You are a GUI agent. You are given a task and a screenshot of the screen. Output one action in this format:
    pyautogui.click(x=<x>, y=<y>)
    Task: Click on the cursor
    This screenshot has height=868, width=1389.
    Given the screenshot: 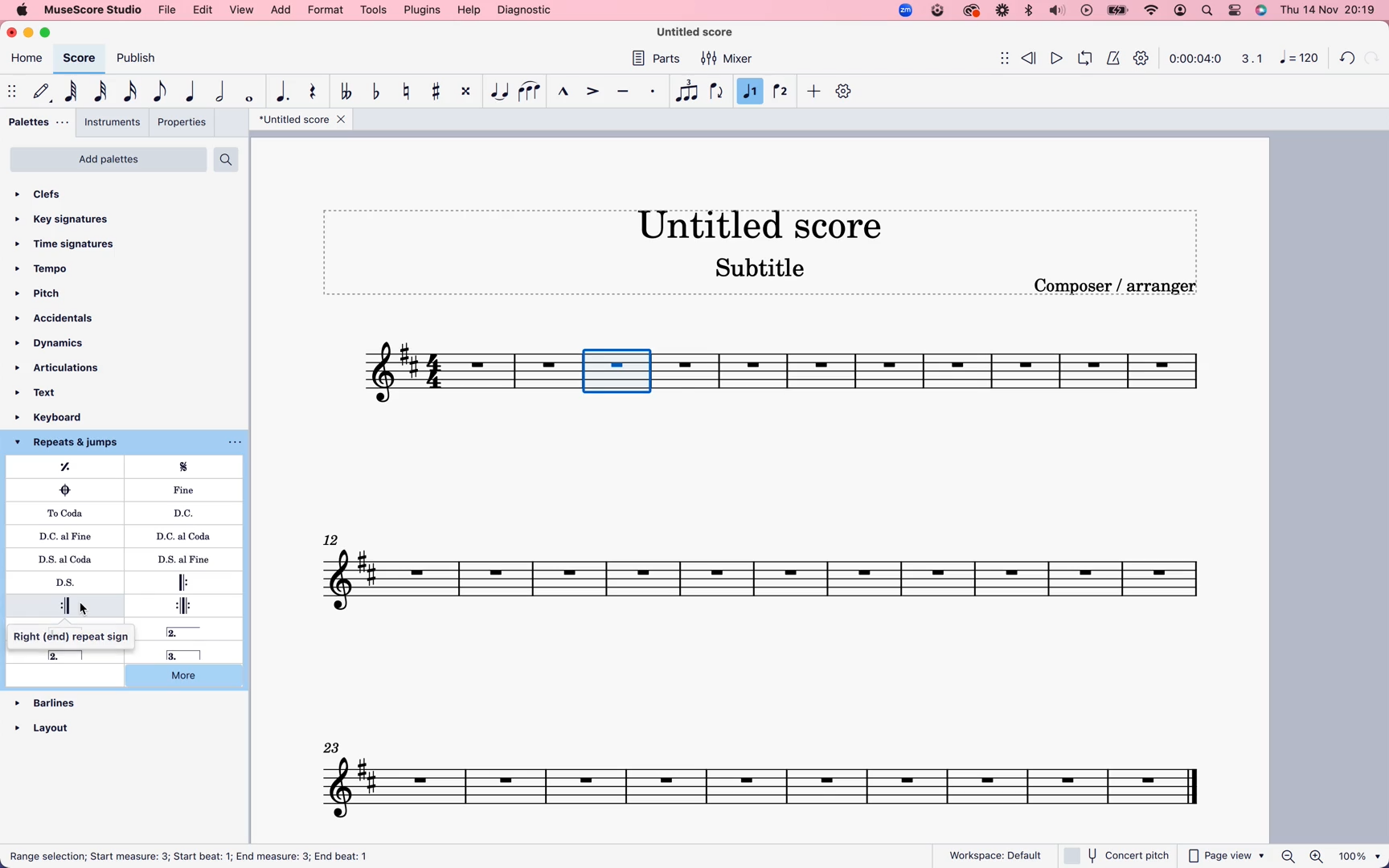 What is the action you would take?
    pyautogui.click(x=79, y=612)
    